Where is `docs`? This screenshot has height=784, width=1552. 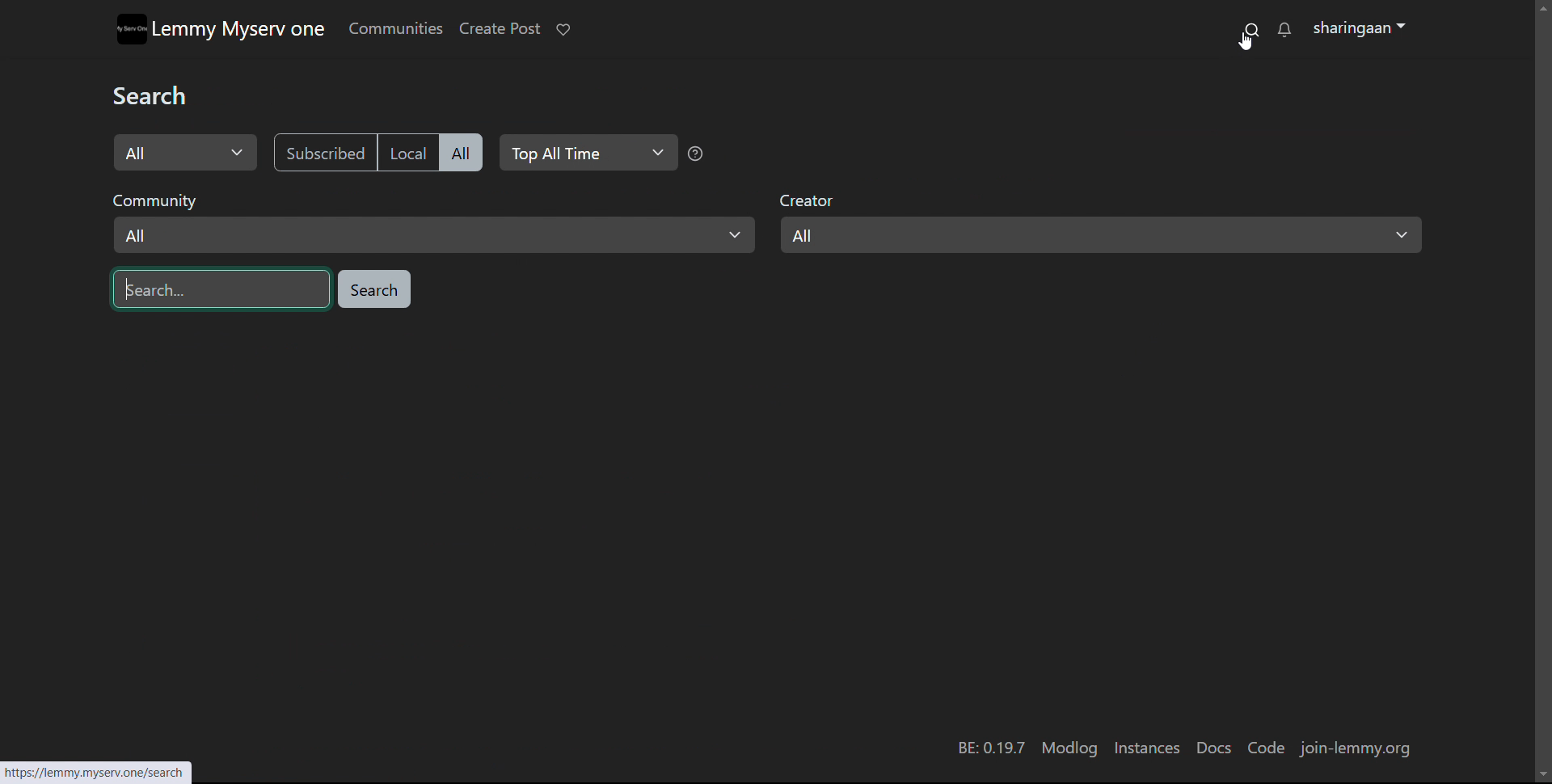 docs is located at coordinates (1213, 748).